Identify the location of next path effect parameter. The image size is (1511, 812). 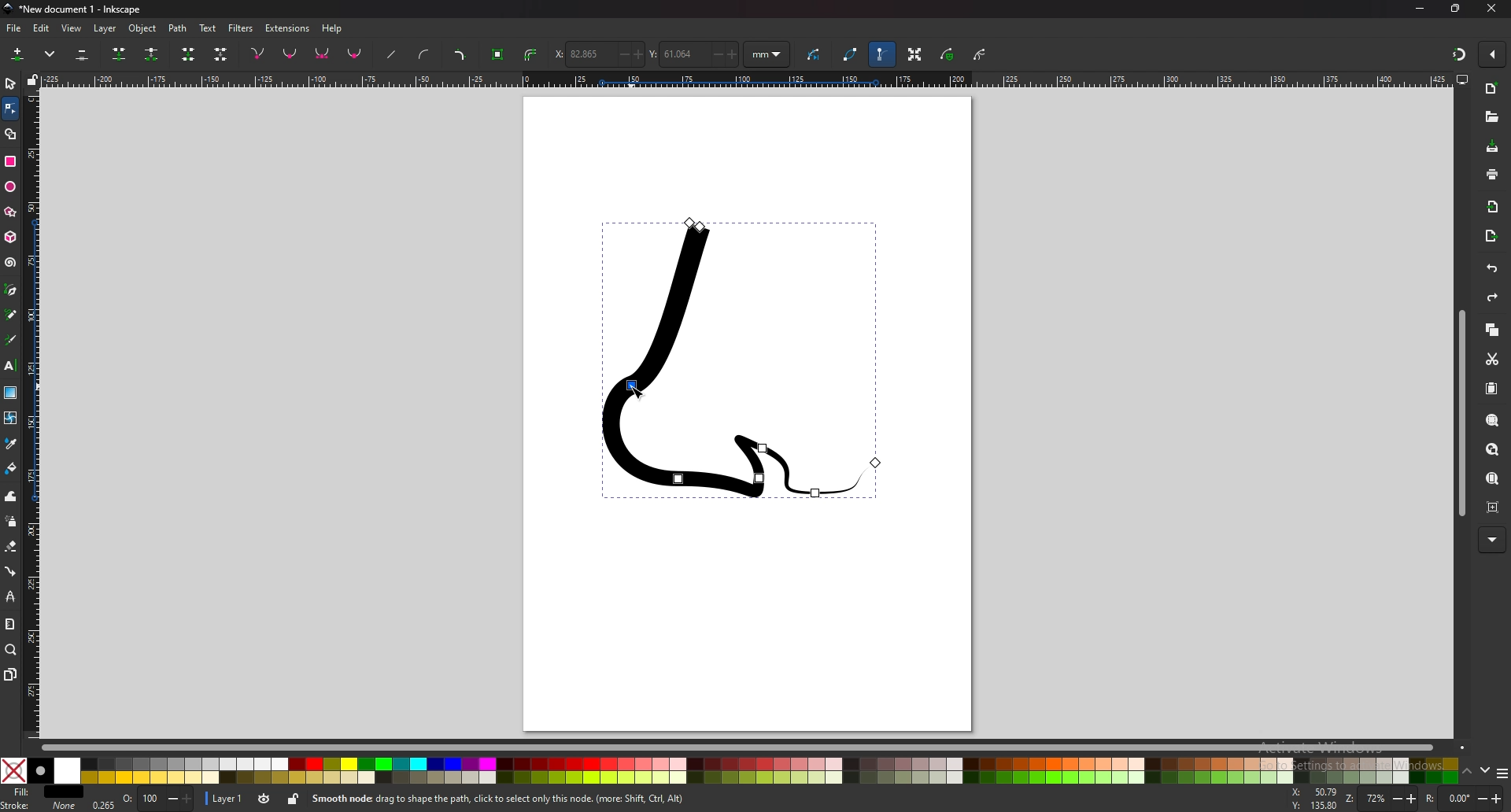
(816, 55).